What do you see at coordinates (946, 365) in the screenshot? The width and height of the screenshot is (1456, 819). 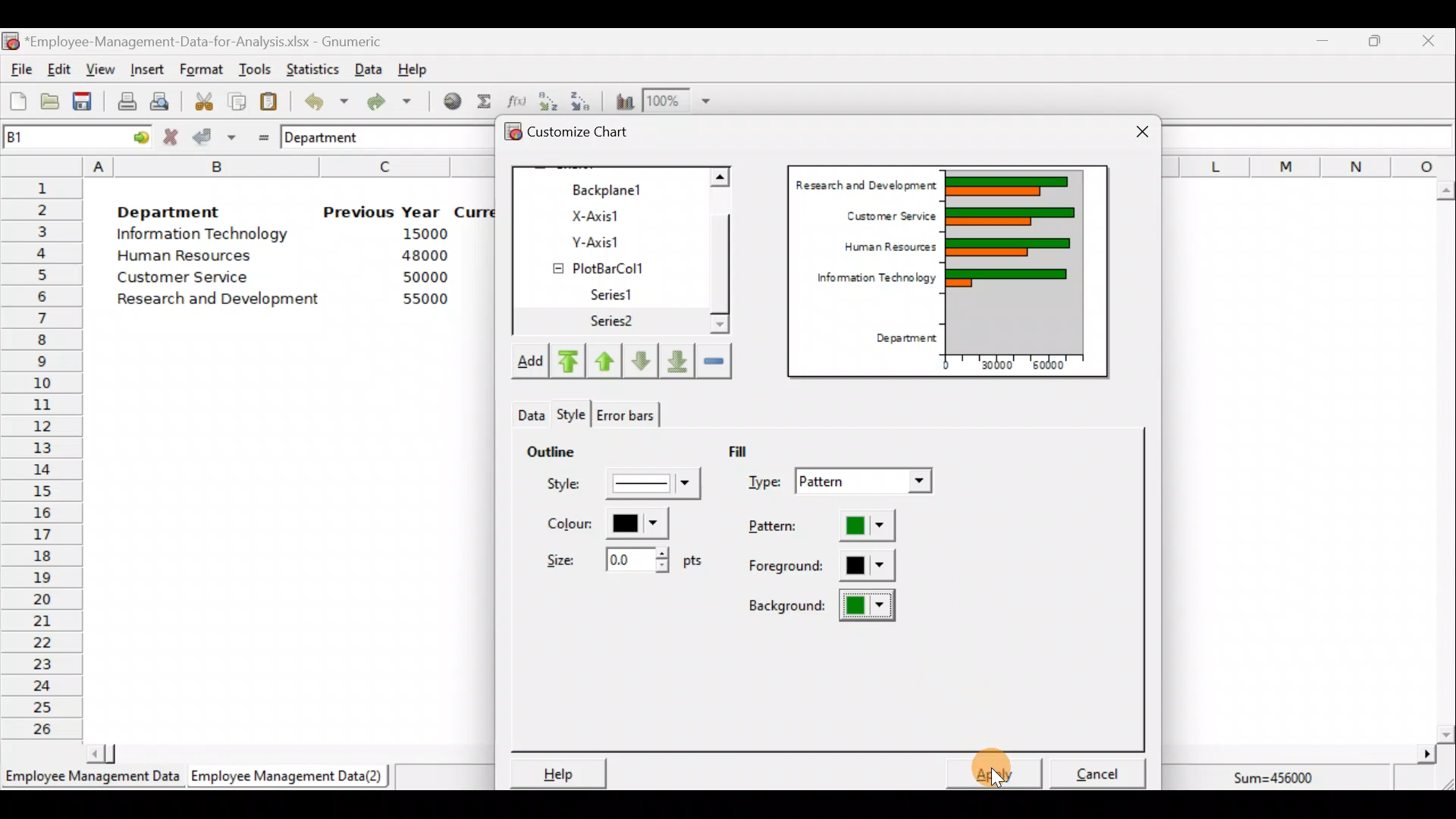 I see `0` at bounding box center [946, 365].